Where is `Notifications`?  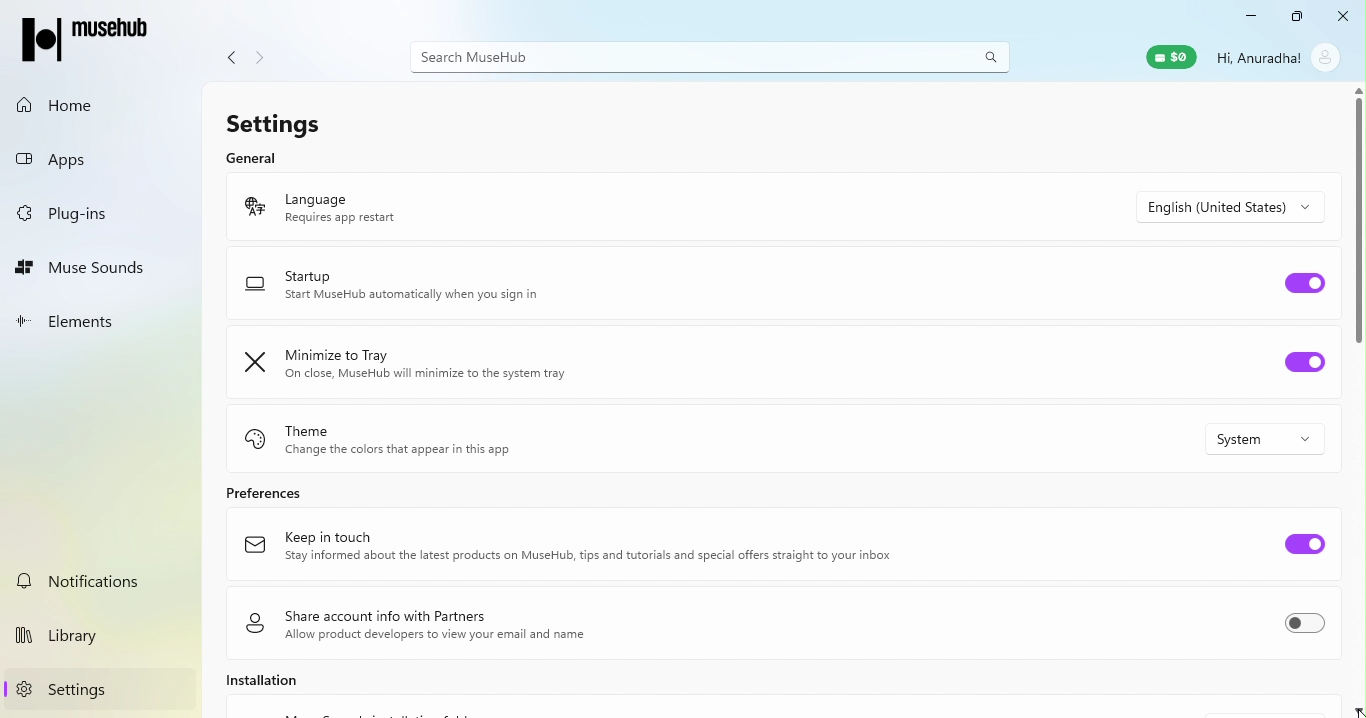
Notifications is located at coordinates (100, 580).